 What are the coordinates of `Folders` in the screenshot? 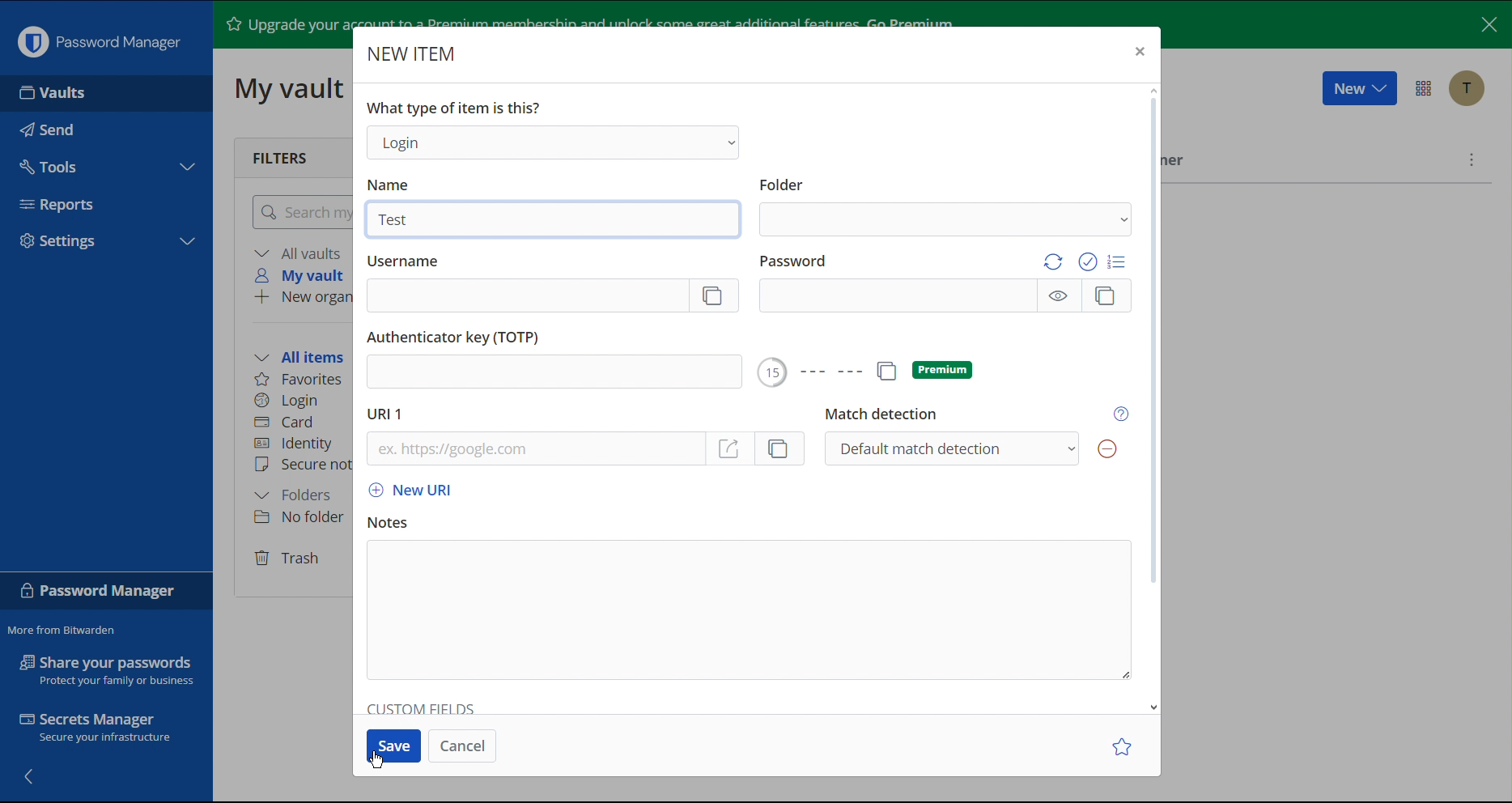 It's located at (295, 495).